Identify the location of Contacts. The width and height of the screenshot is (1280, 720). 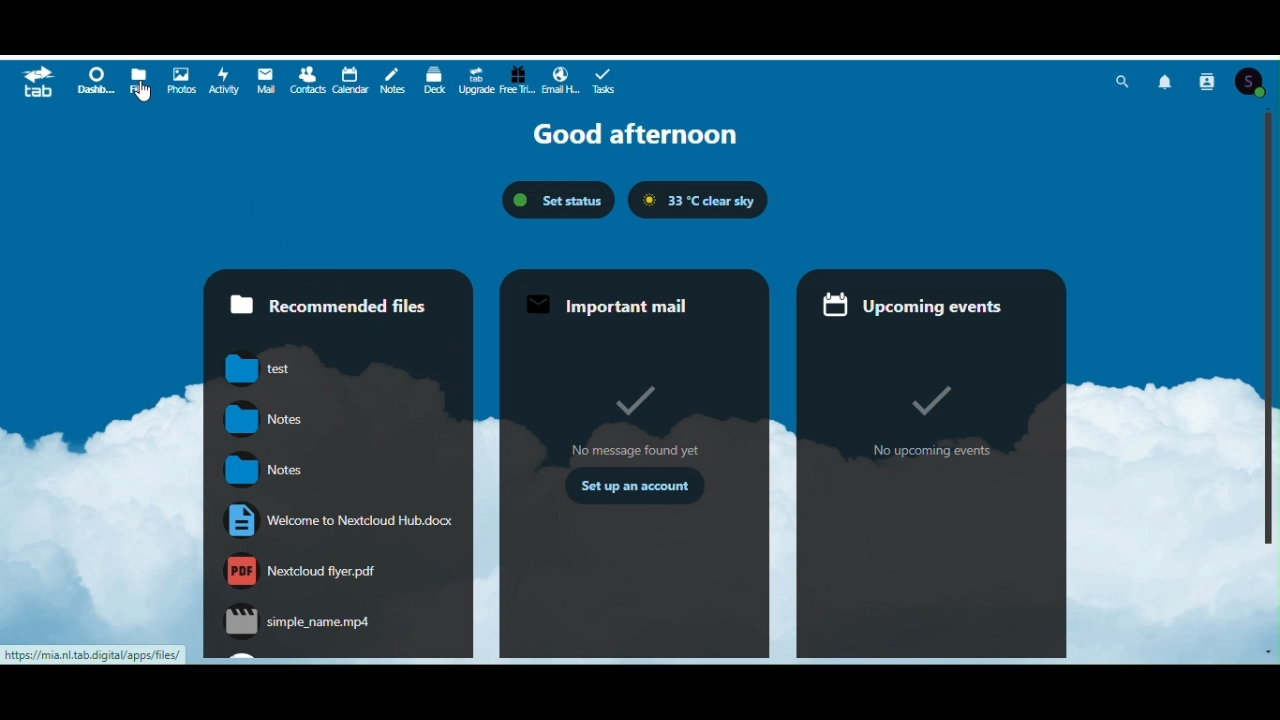
(304, 80).